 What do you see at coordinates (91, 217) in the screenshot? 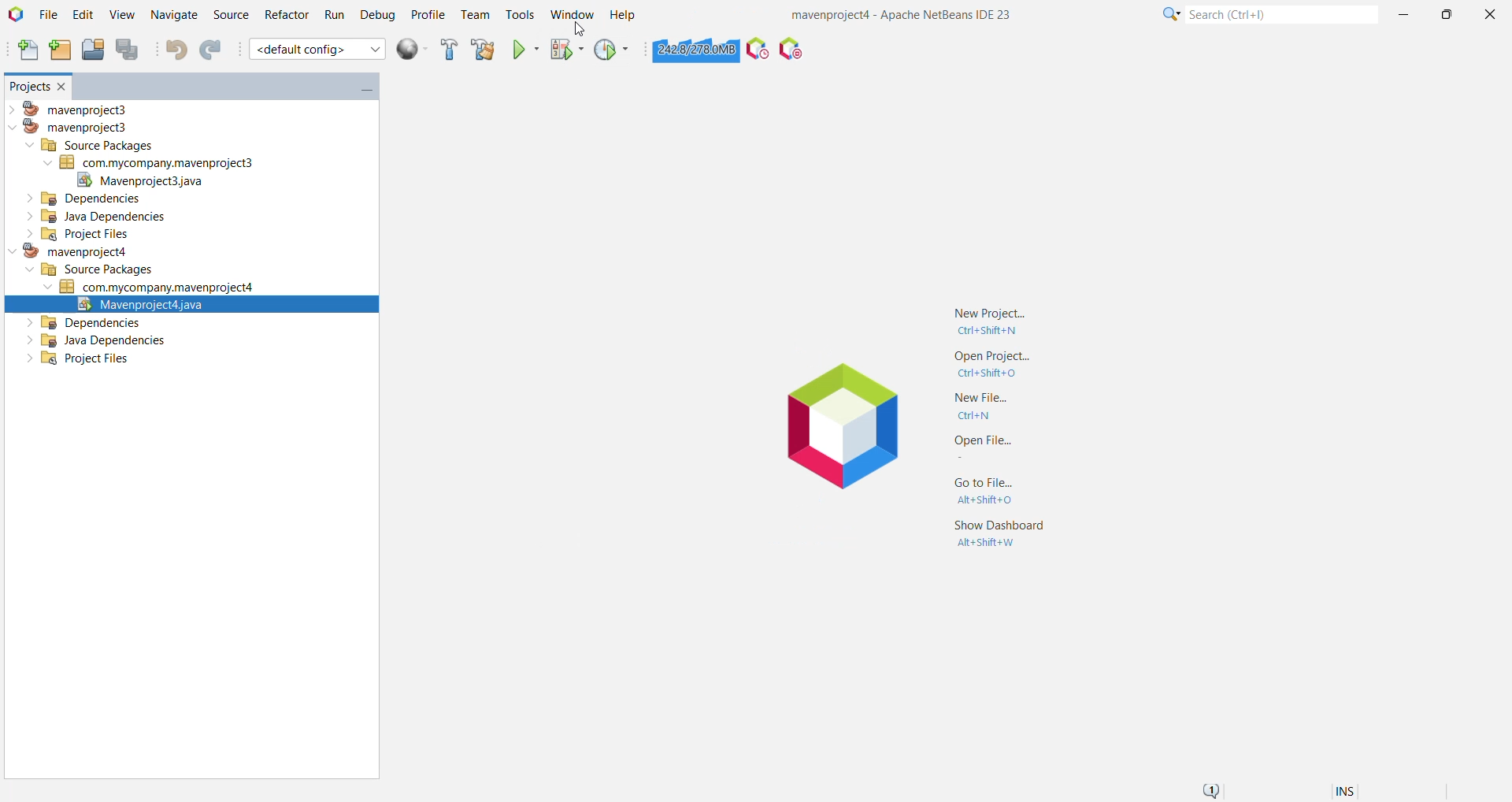
I see `Java Dependencies` at bounding box center [91, 217].